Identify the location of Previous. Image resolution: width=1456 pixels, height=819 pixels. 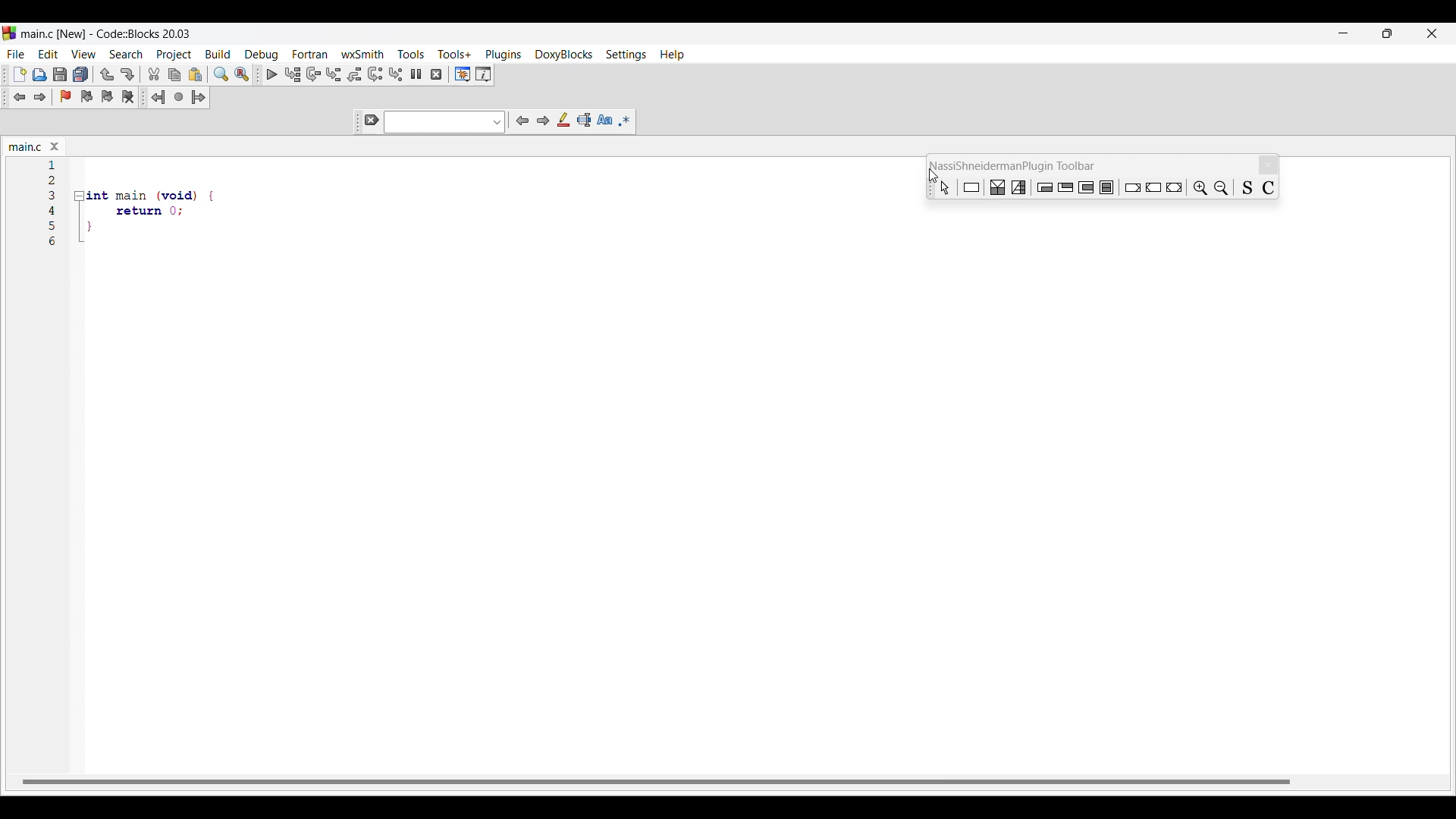
(523, 121).